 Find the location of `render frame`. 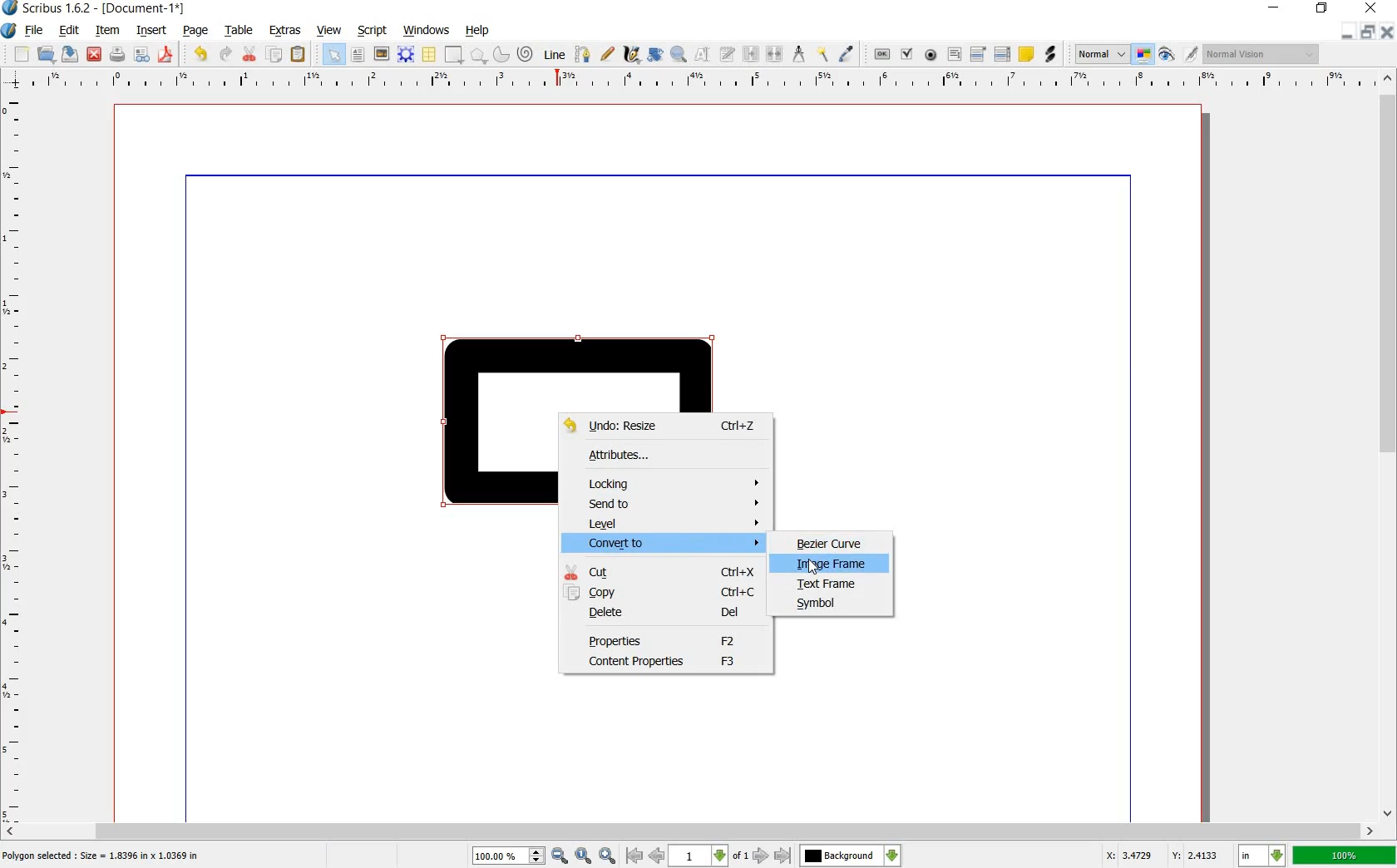

render frame is located at coordinates (403, 53).